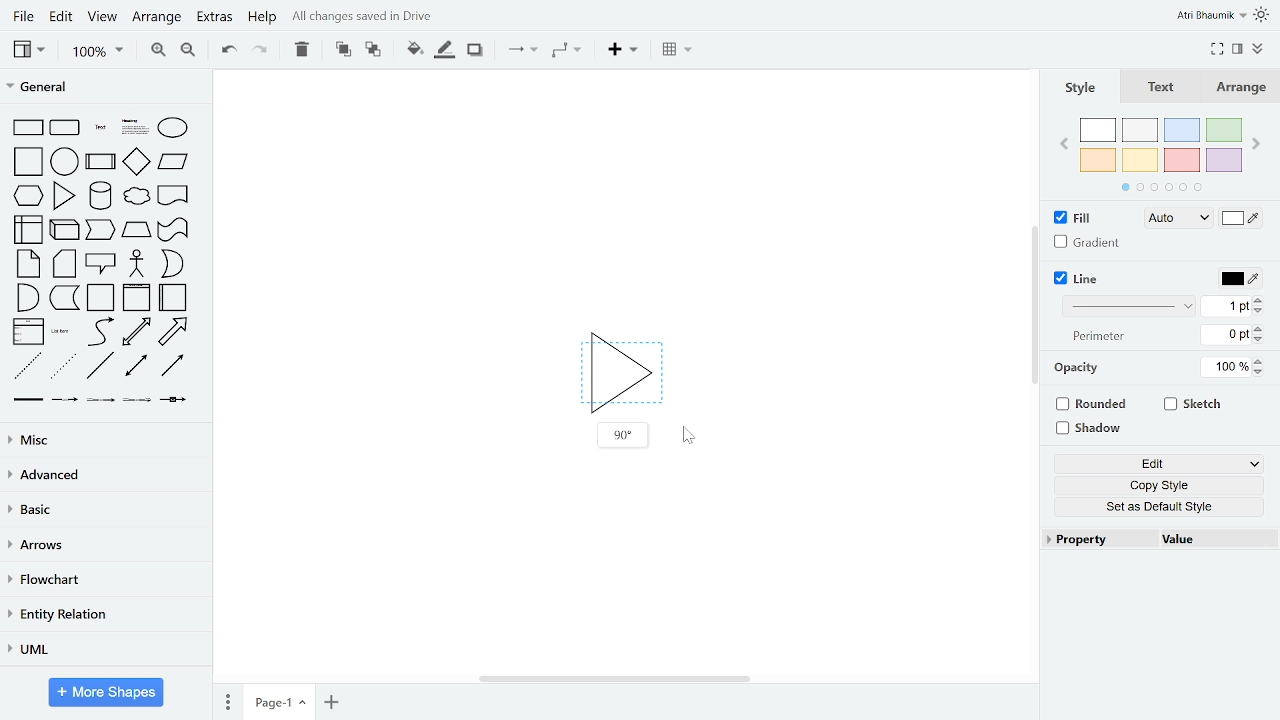  Describe the element at coordinates (279, 700) in the screenshot. I see `current page` at that location.